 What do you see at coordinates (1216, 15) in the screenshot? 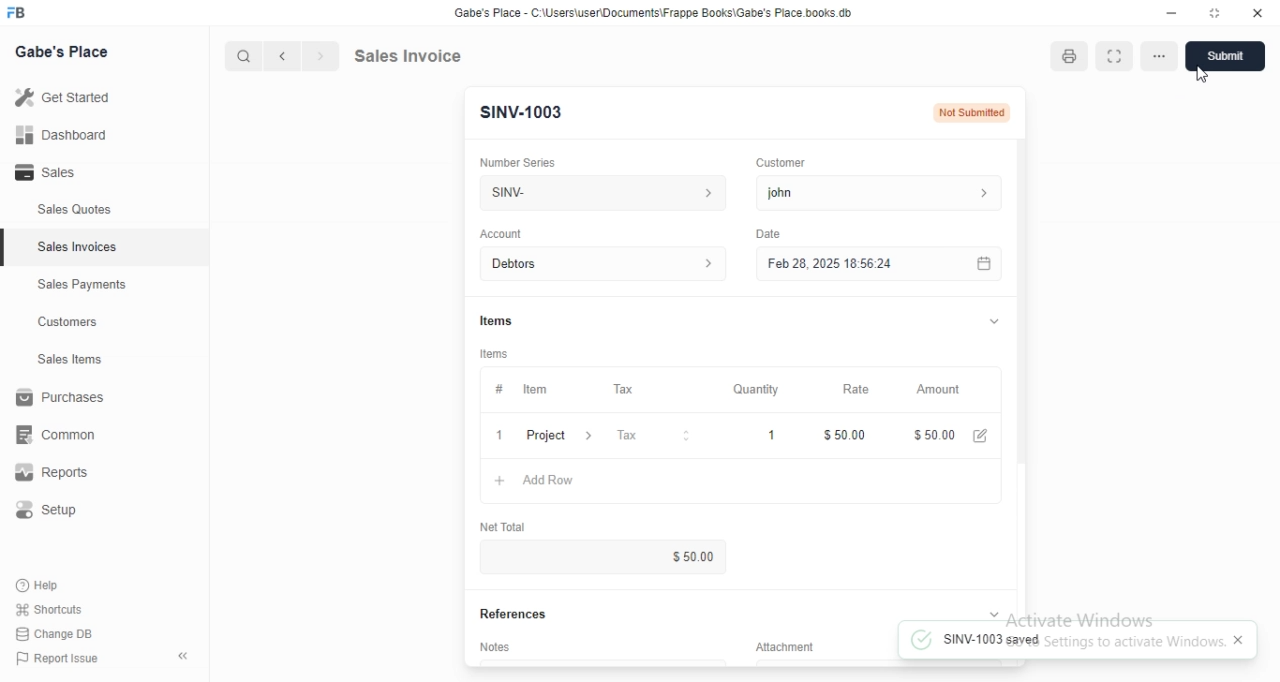
I see `maximize` at bounding box center [1216, 15].